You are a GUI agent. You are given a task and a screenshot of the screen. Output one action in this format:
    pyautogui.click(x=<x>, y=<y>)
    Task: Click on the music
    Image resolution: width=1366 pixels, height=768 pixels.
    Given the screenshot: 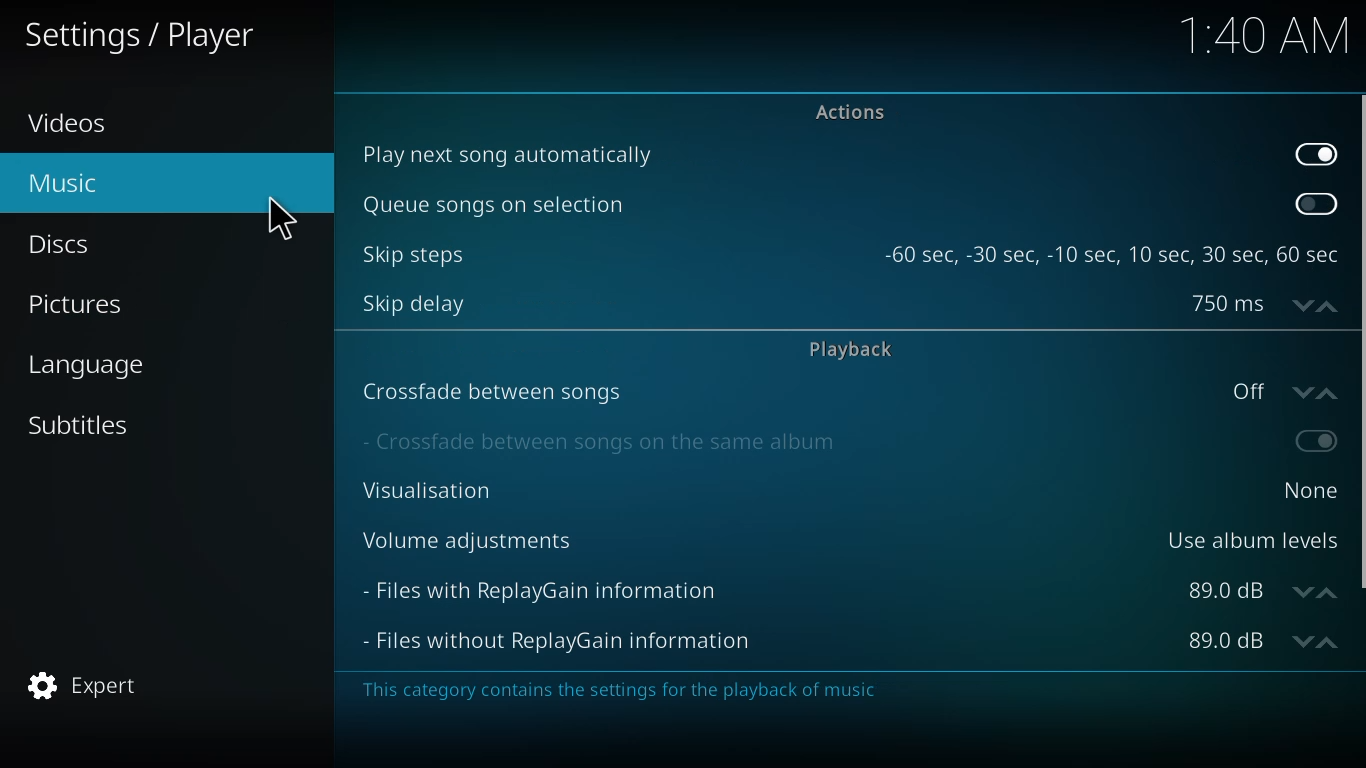 What is the action you would take?
    pyautogui.click(x=61, y=180)
    